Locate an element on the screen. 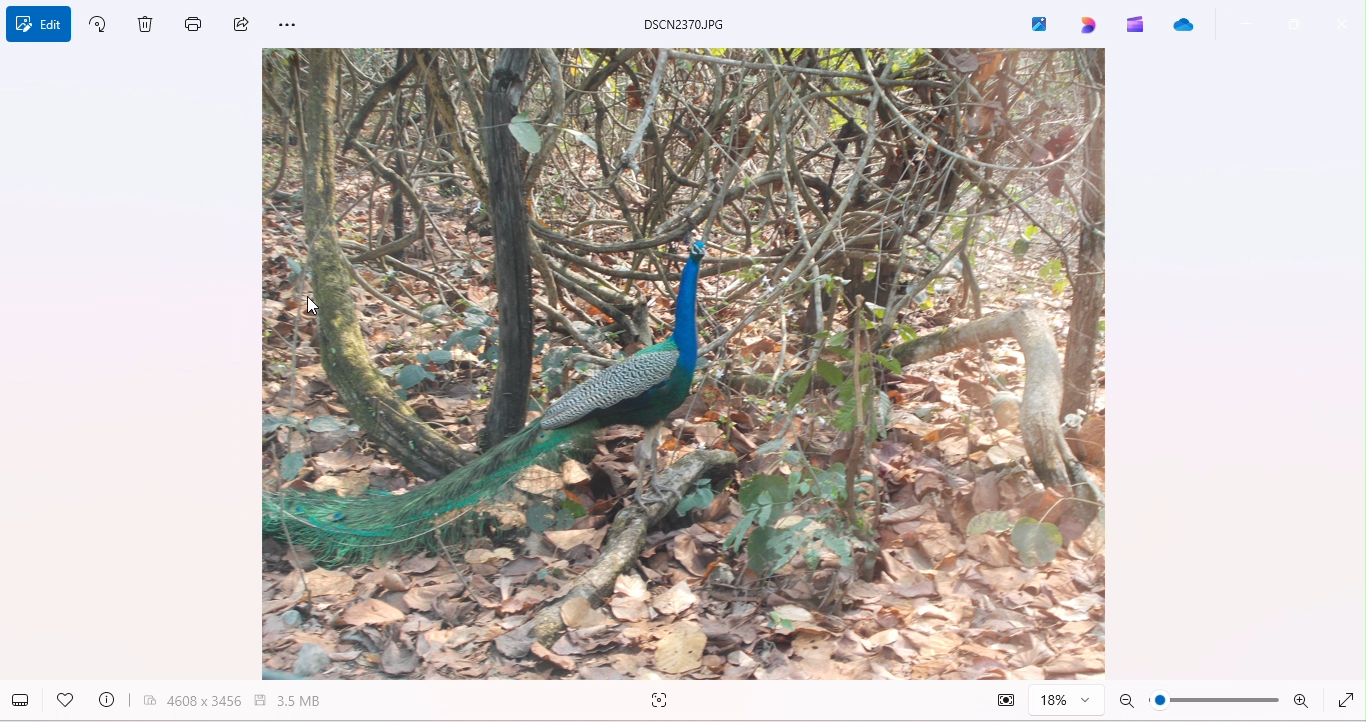 The width and height of the screenshot is (1366, 722). image length and width is located at coordinates (192, 701).